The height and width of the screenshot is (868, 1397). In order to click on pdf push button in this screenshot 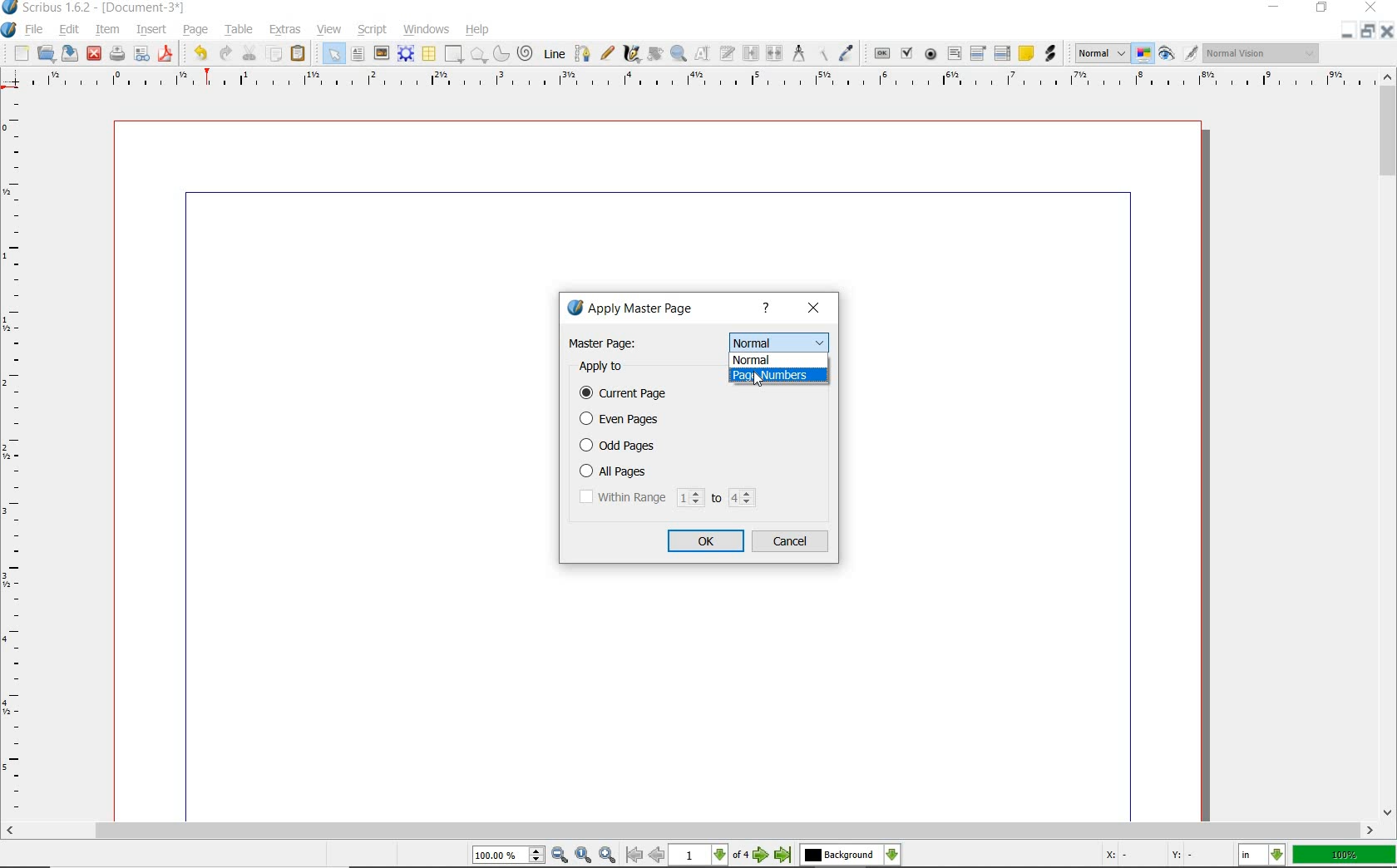, I will do `click(881, 53)`.